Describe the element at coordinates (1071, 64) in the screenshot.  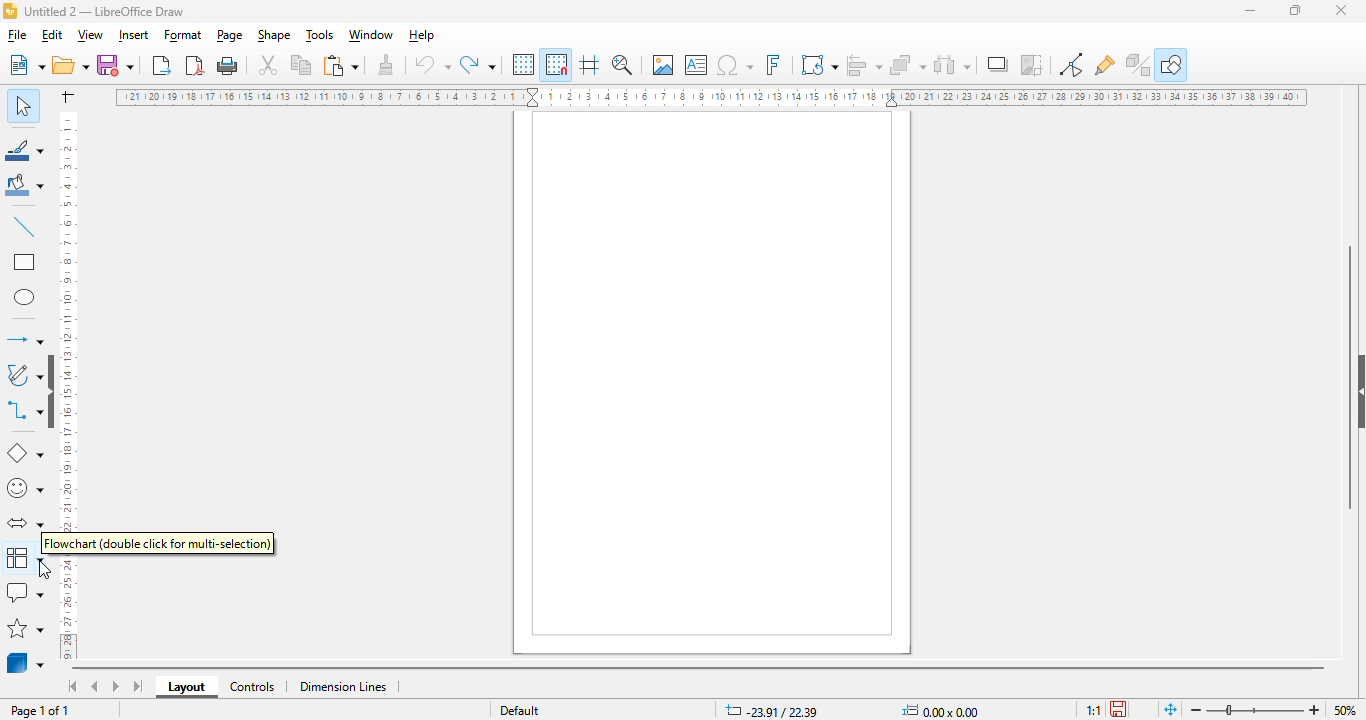
I see `toggle point edit mode` at that location.